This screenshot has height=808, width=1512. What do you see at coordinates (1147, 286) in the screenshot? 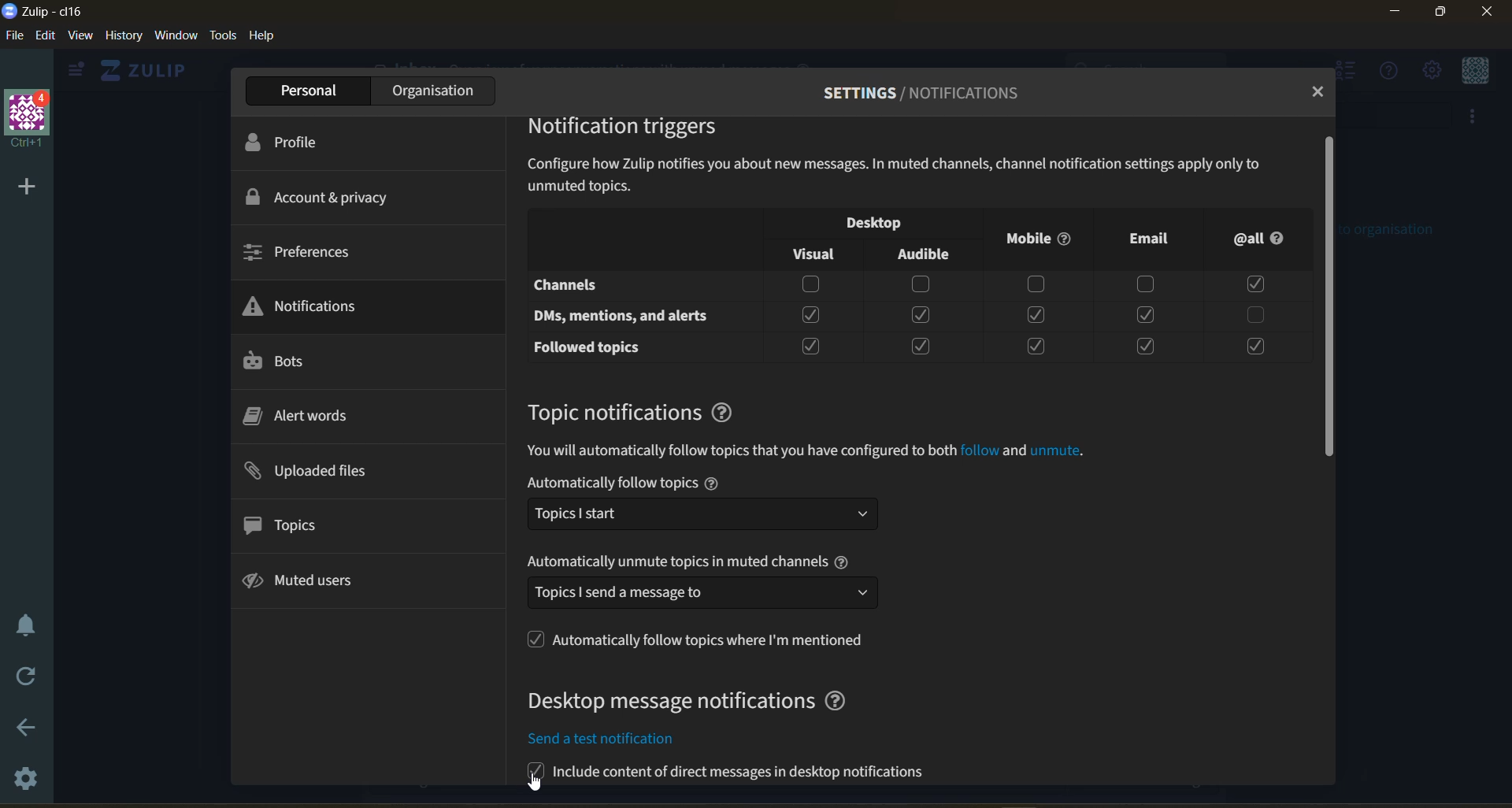
I see `Checkbox` at bounding box center [1147, 286].